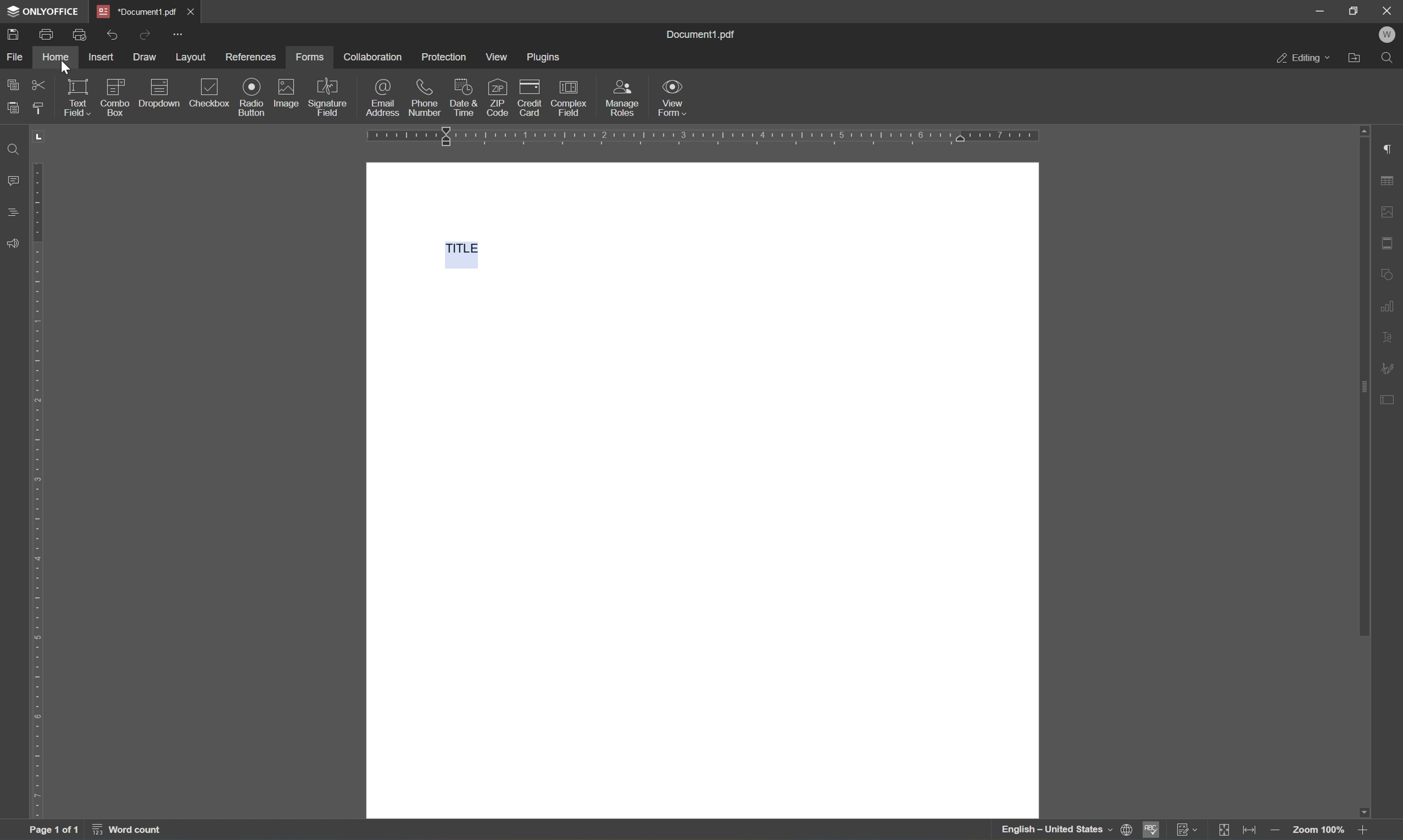 This screenshot has width=1403, height=840. Describe the element at coordinates (425, 96) in the screenshot. I see `phone number` at that location.